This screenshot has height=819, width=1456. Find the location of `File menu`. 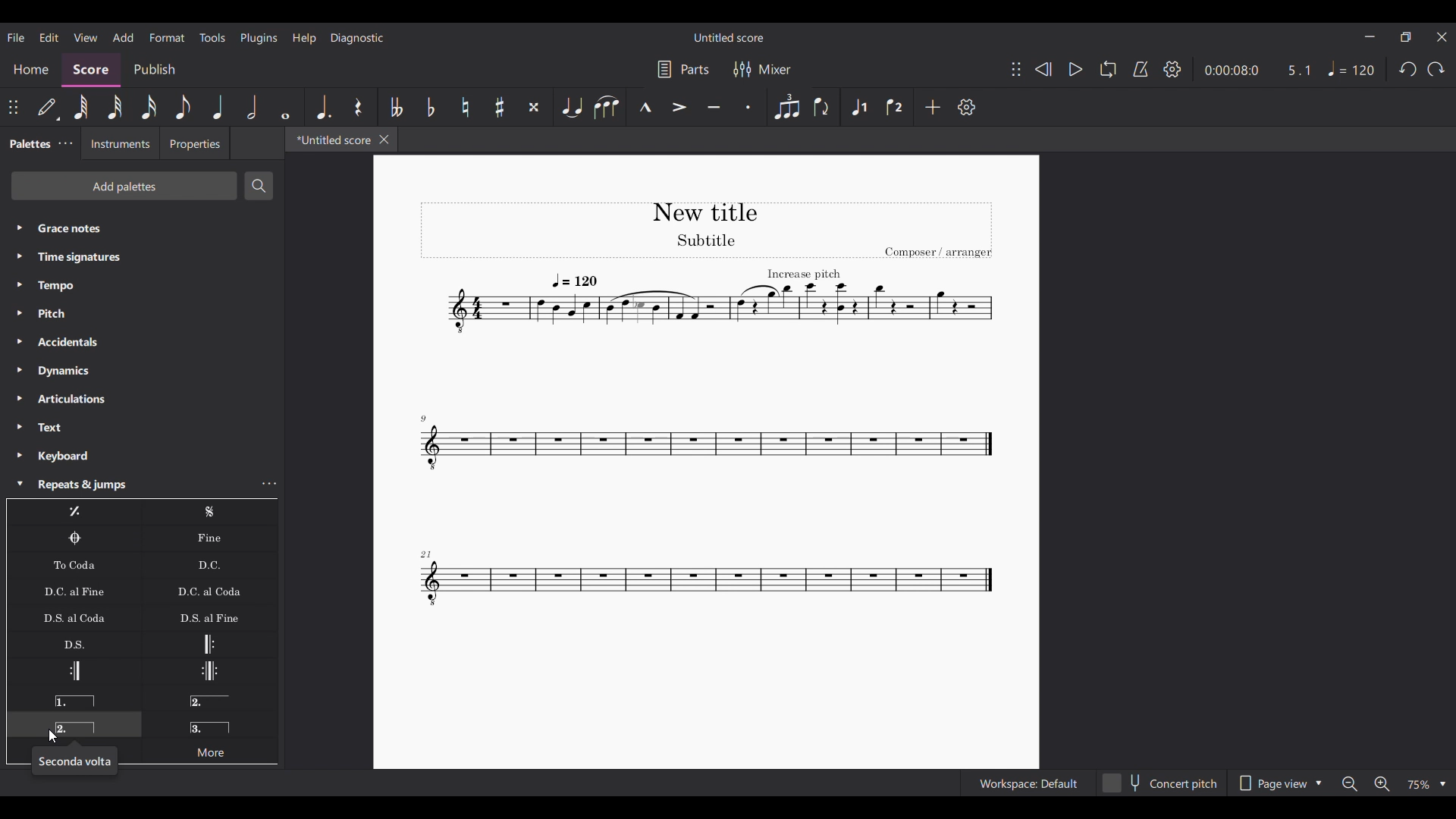

File menu is located at coordinates (16, 38).